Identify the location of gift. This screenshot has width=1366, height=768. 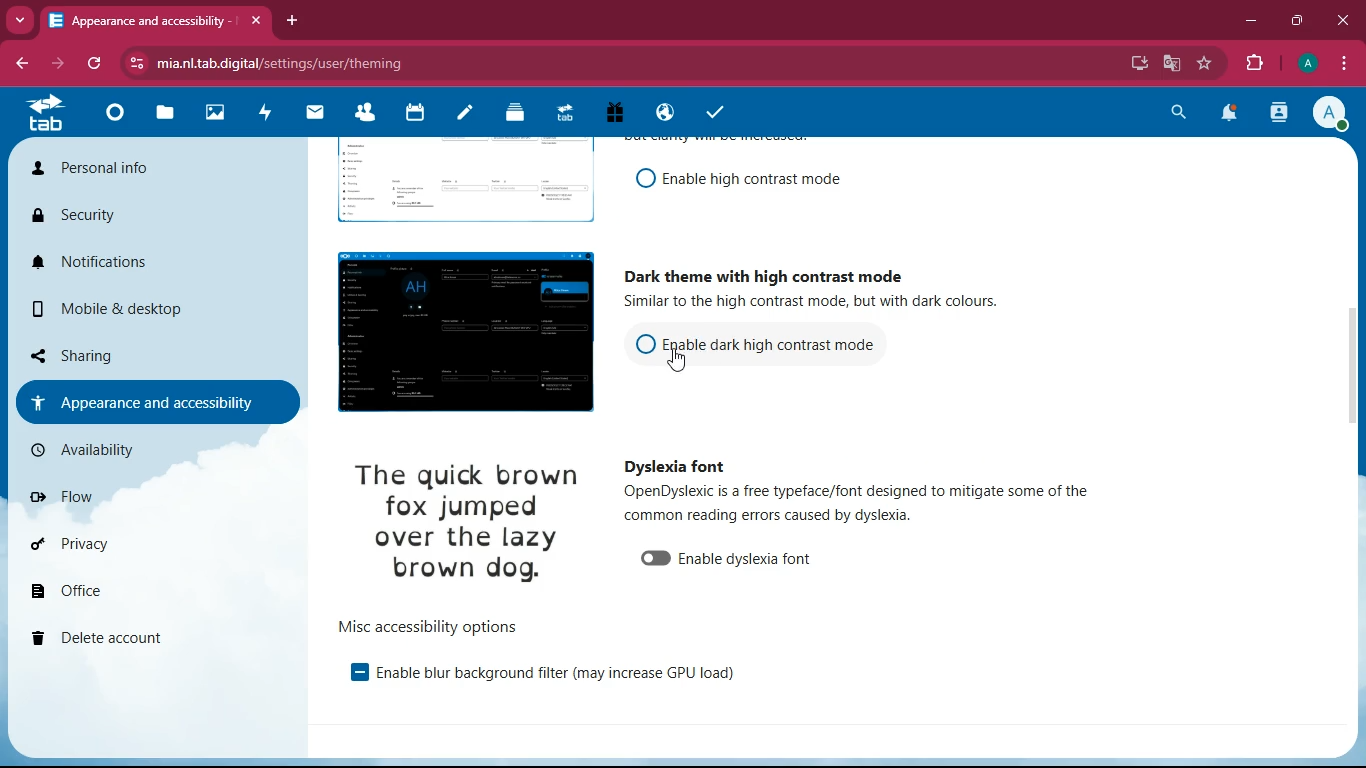
(623, 113).